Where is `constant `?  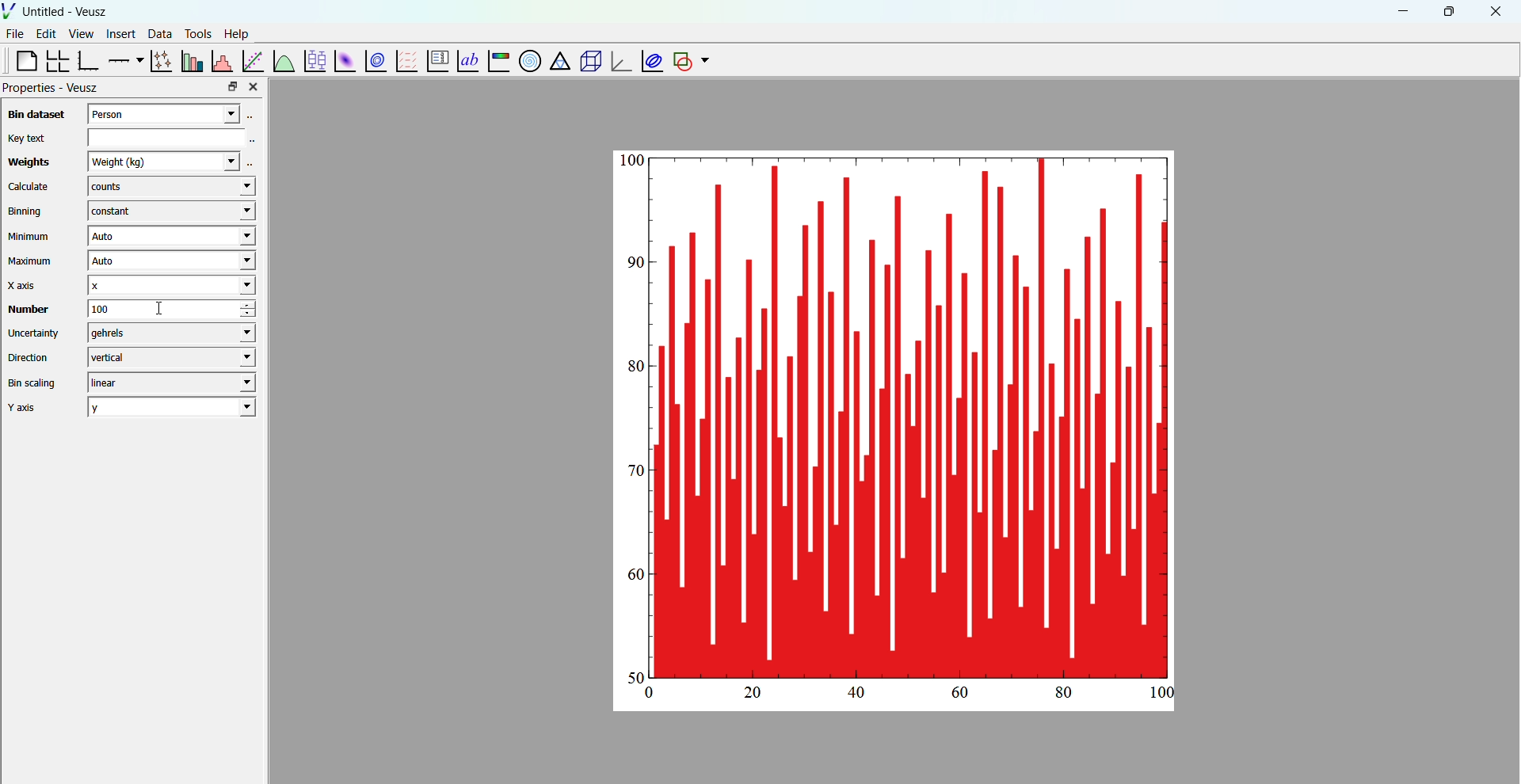
constant  is located at coordinates (168, 211).